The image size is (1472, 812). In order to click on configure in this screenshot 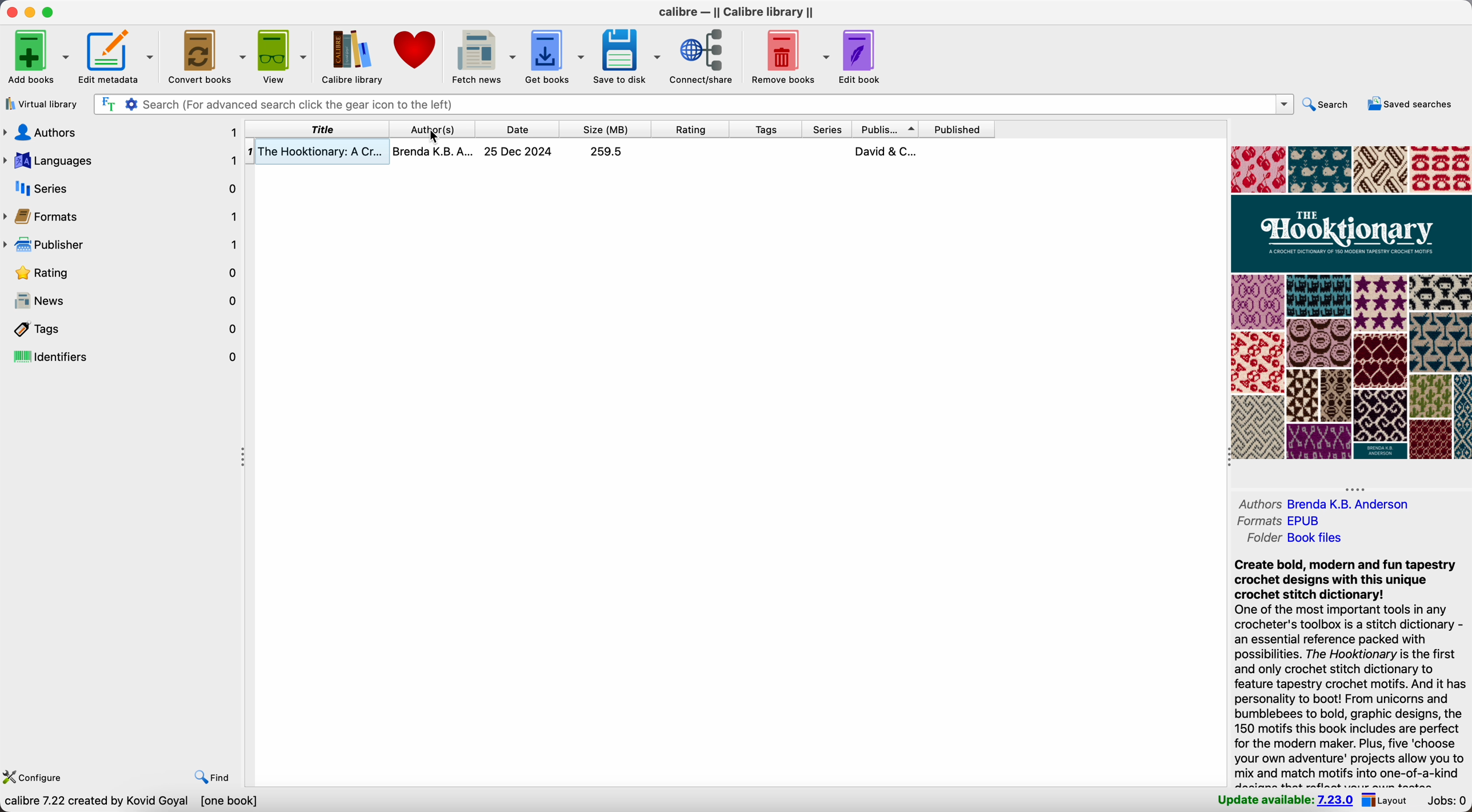, I will do `click(39, 778)`.